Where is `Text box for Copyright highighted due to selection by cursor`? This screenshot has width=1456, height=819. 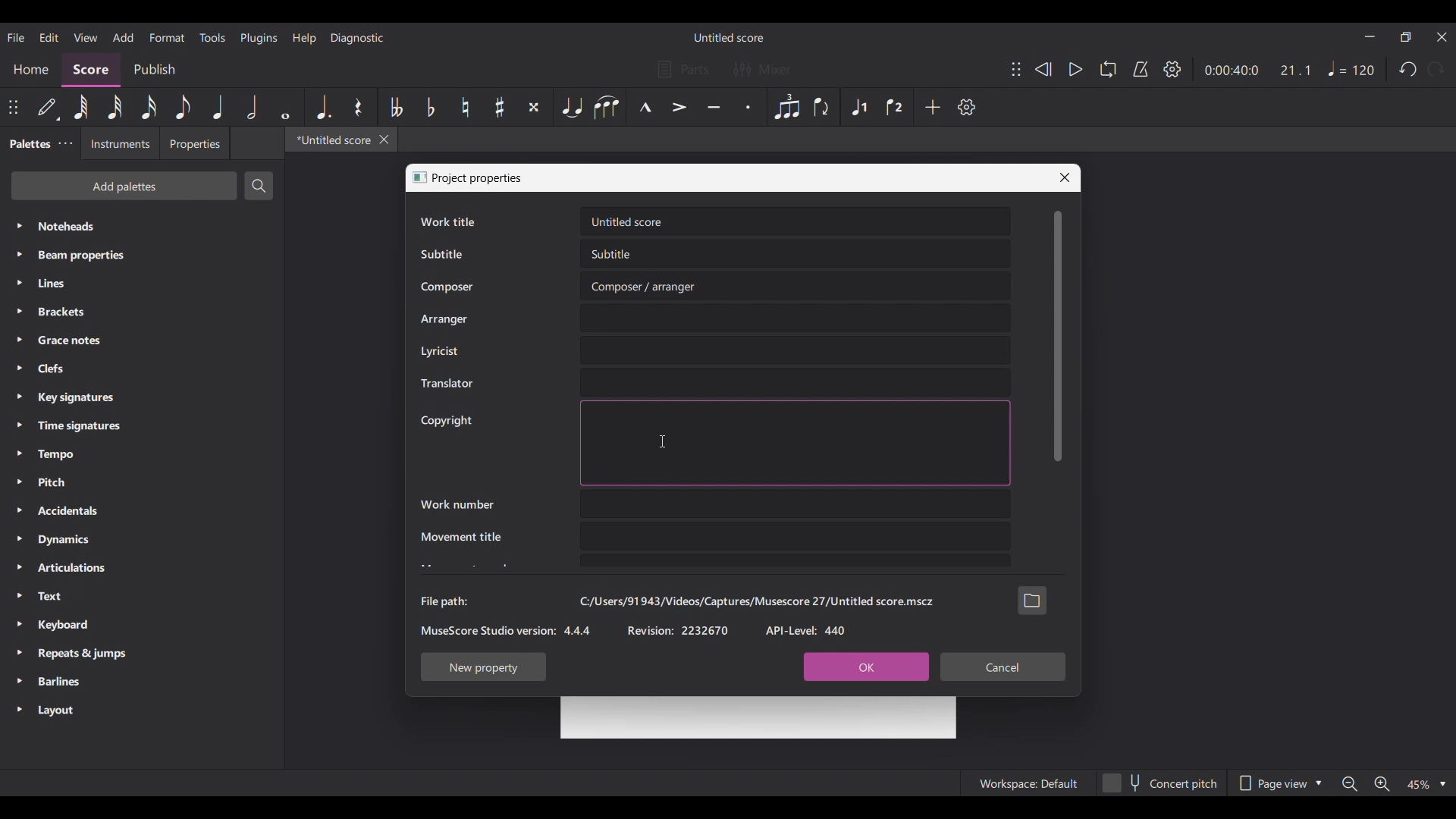 Text box for Copyright highighted due to selection by cursor is located at coordinates (795, 443).